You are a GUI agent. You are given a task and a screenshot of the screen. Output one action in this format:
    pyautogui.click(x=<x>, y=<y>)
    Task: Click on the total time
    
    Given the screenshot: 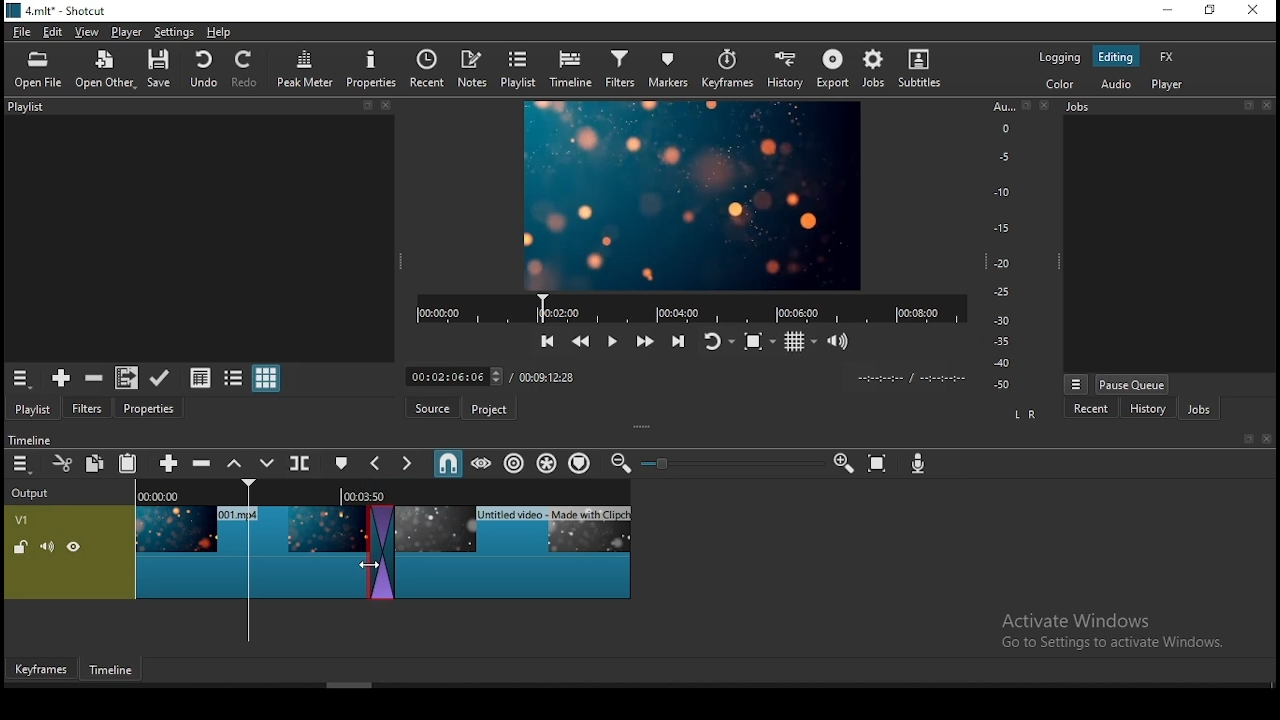 What is the action you would take?
    pyautogui.click(x=549, y=378)
    